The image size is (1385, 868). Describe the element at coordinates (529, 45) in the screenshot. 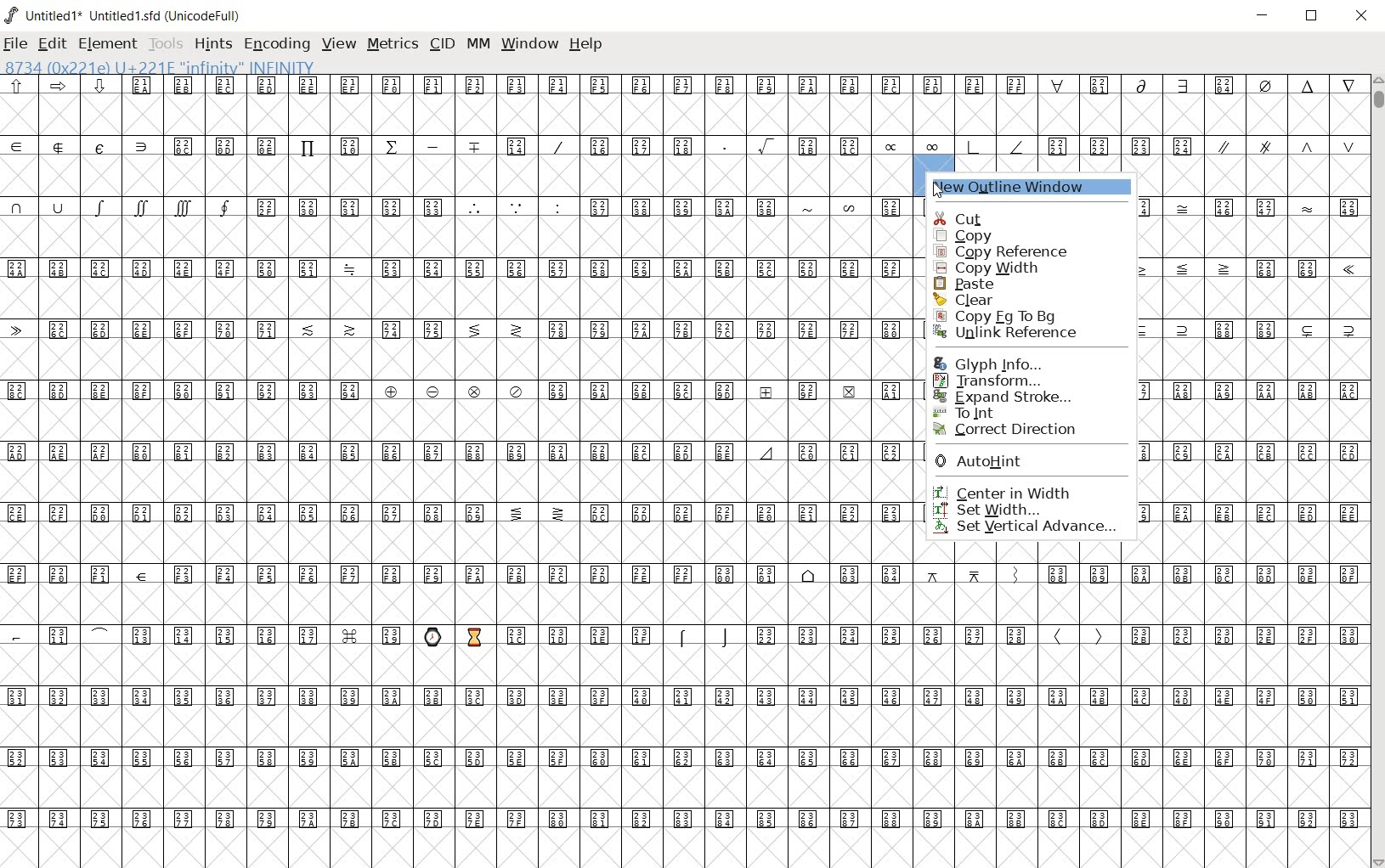

I see `window` at that location.